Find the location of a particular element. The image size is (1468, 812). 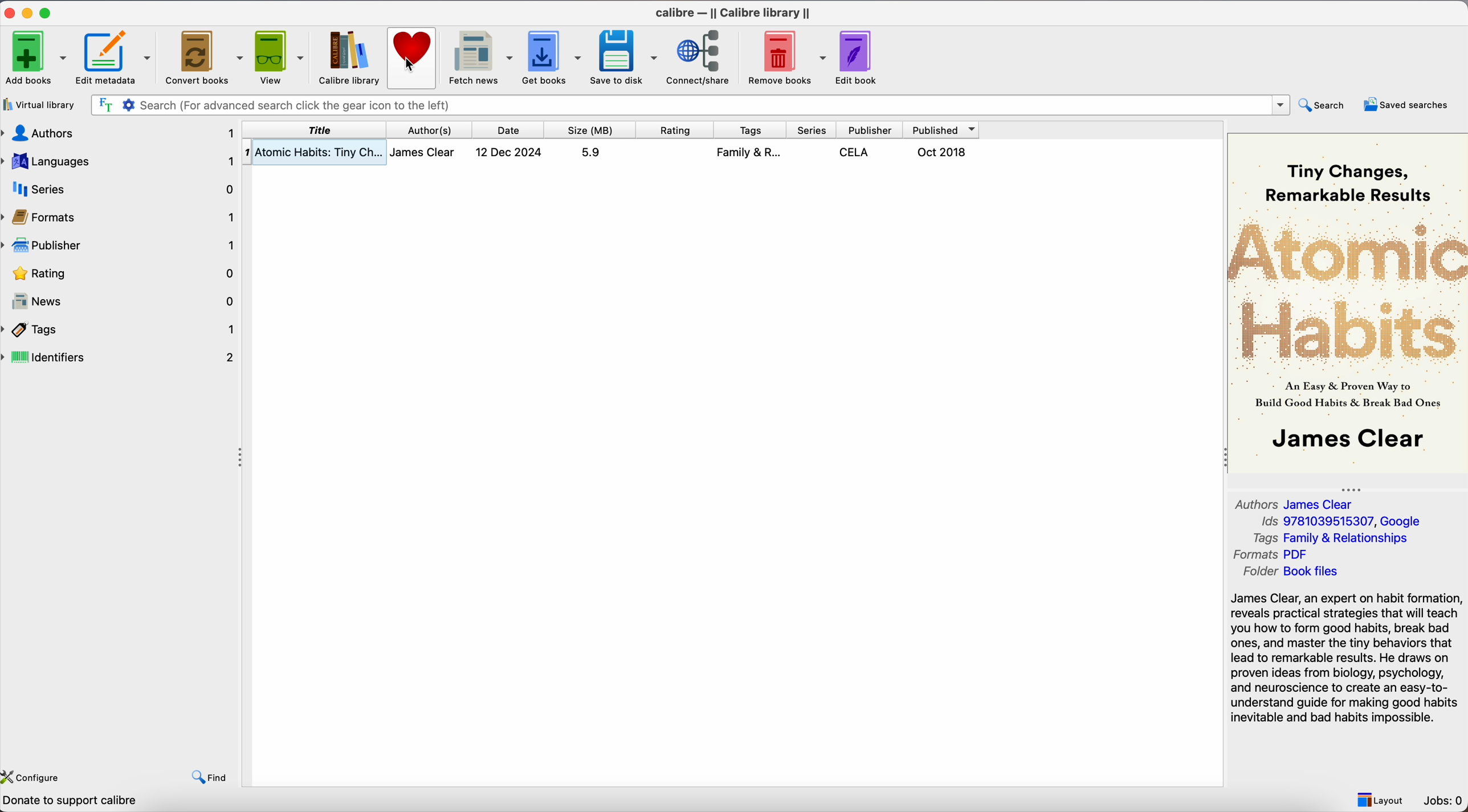

identifiers is located at coordinates (120, 357).